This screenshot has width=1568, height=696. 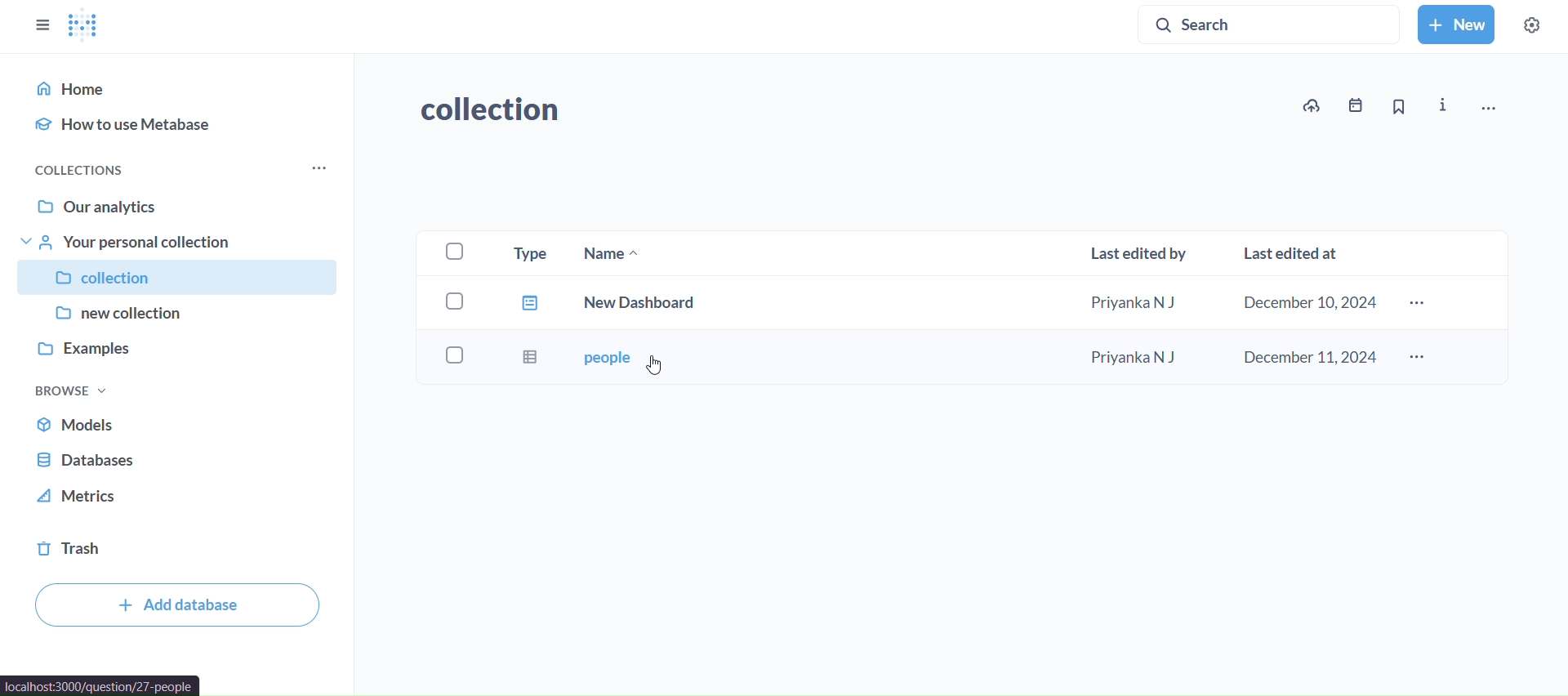 What do you see at coordinates (615, 256) in the screenshot?
I see `name` at bounding box center [615, 256].